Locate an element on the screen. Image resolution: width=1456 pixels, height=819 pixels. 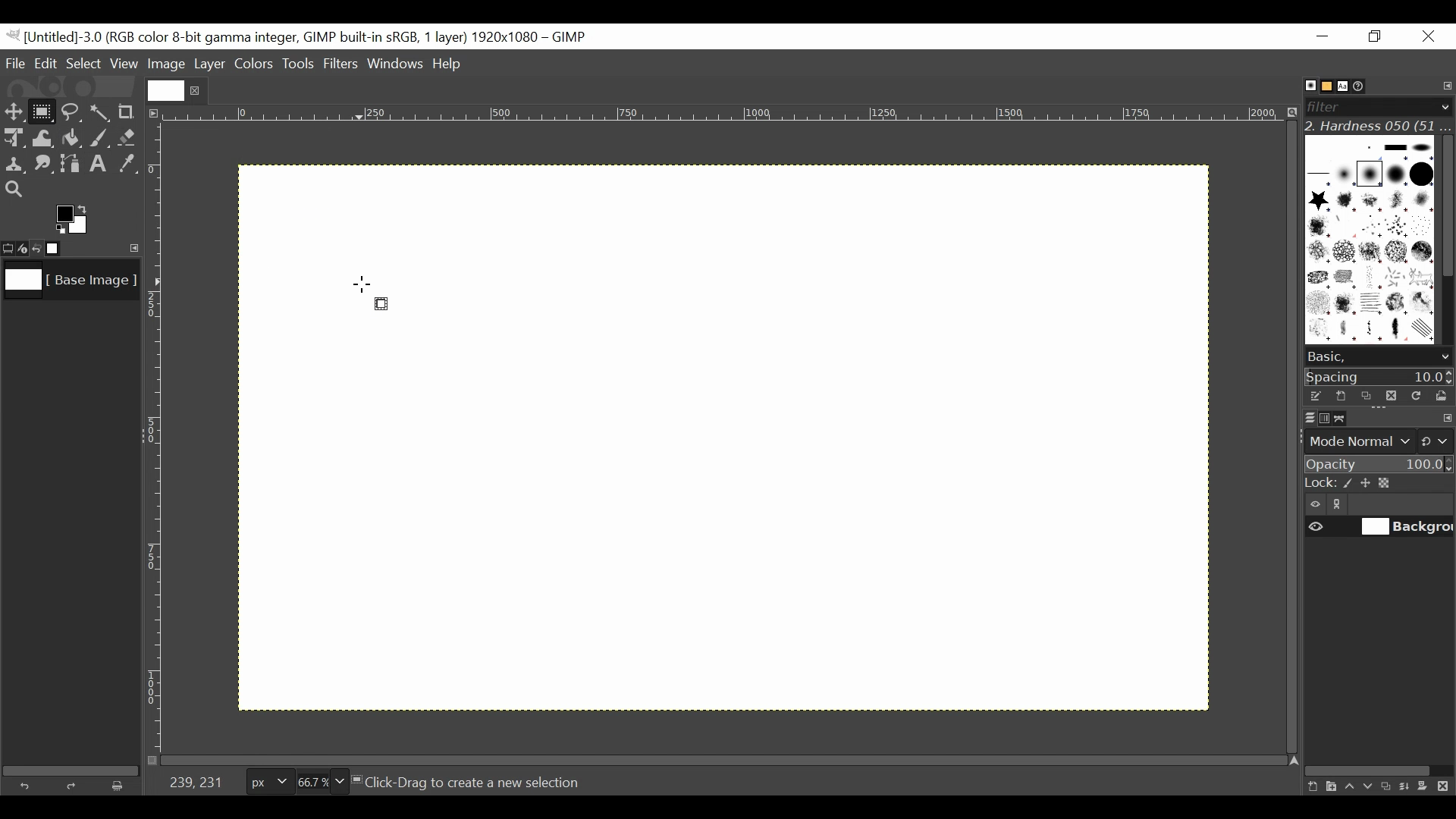
Raise the layer is located at coordinates (1349, 786).